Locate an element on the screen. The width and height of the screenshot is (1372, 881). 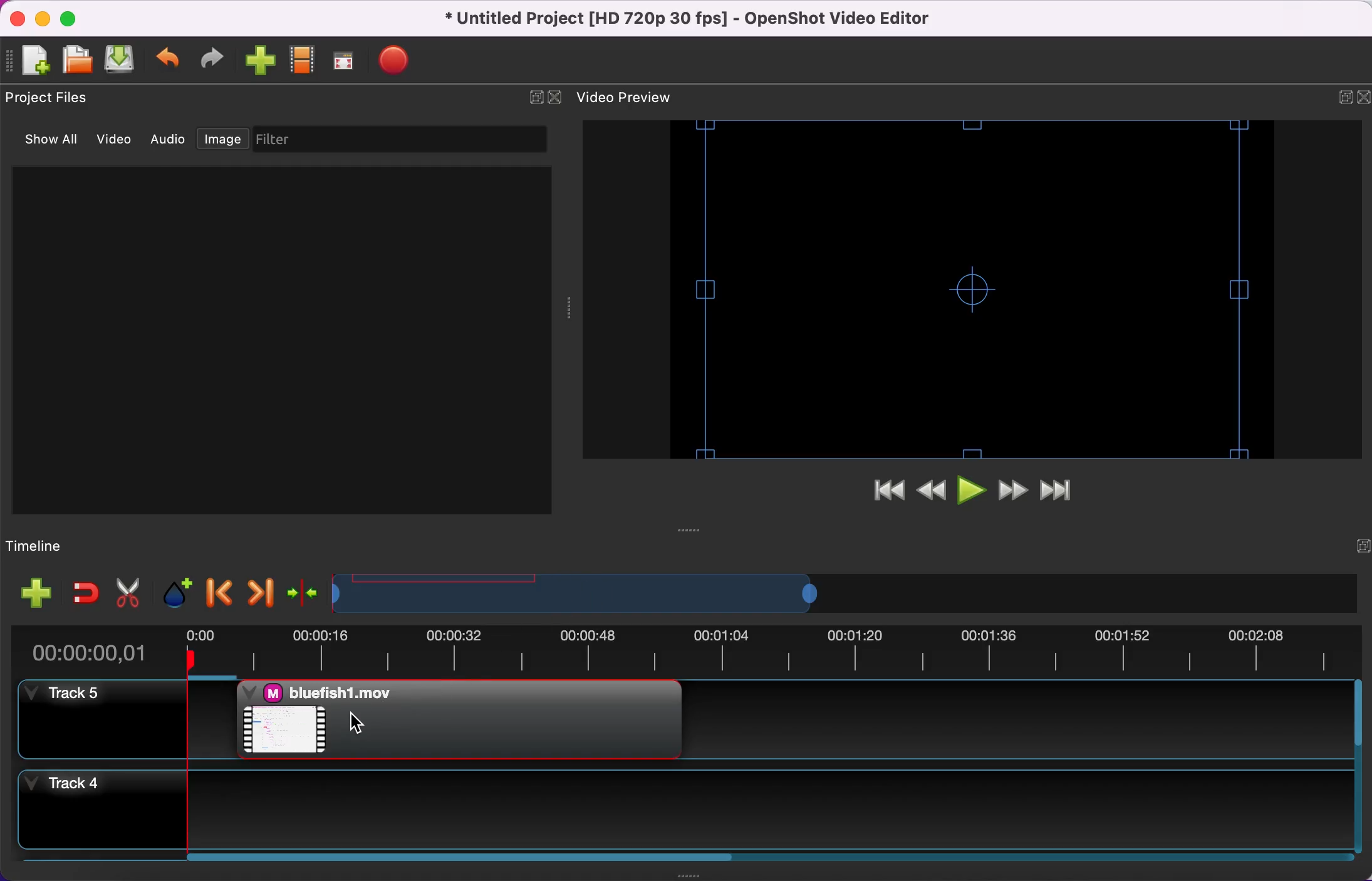
Cursor is located at coordinates (356, 722).